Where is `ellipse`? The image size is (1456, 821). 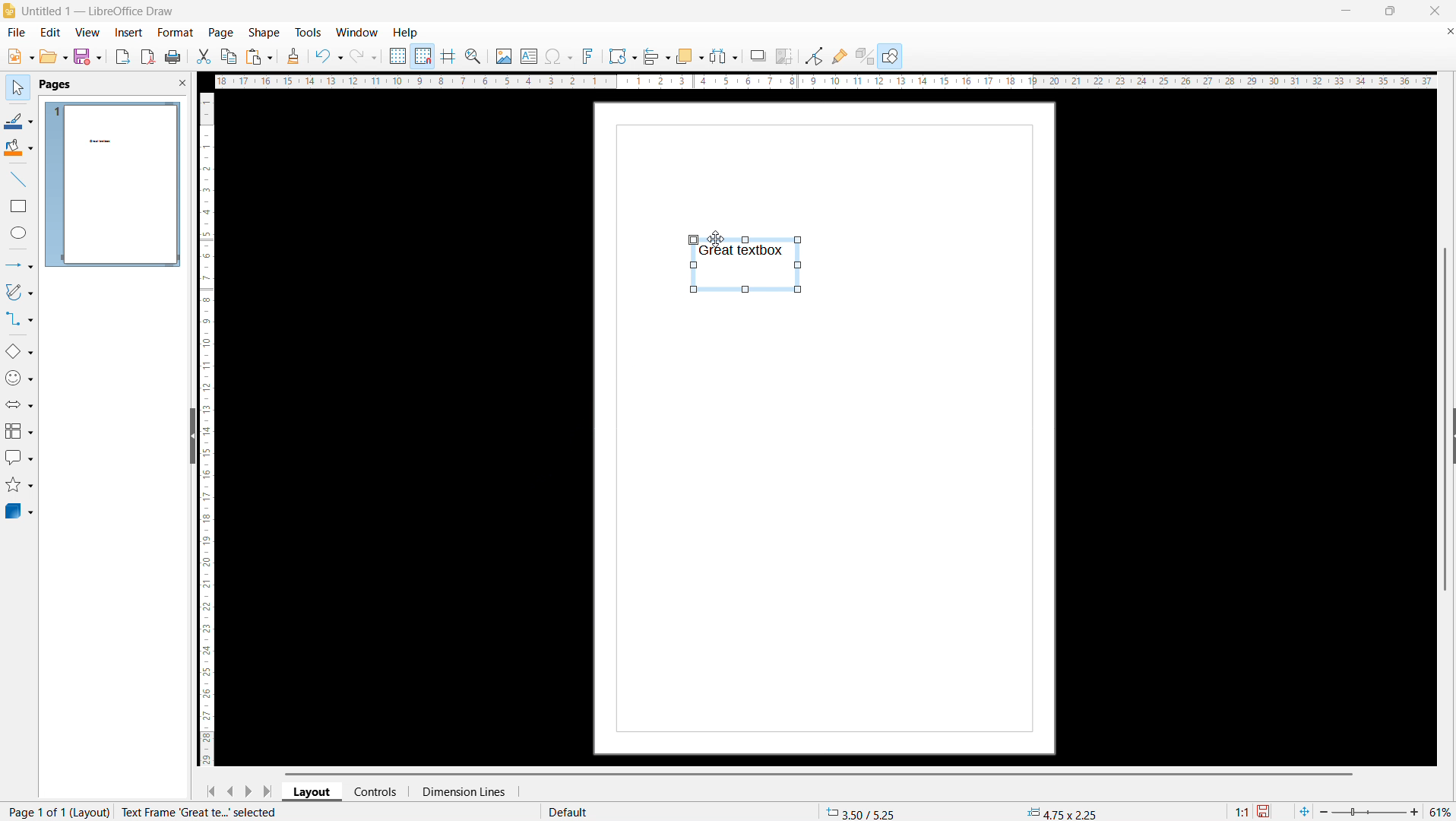 ellipse is located at coordinates (18, 234).